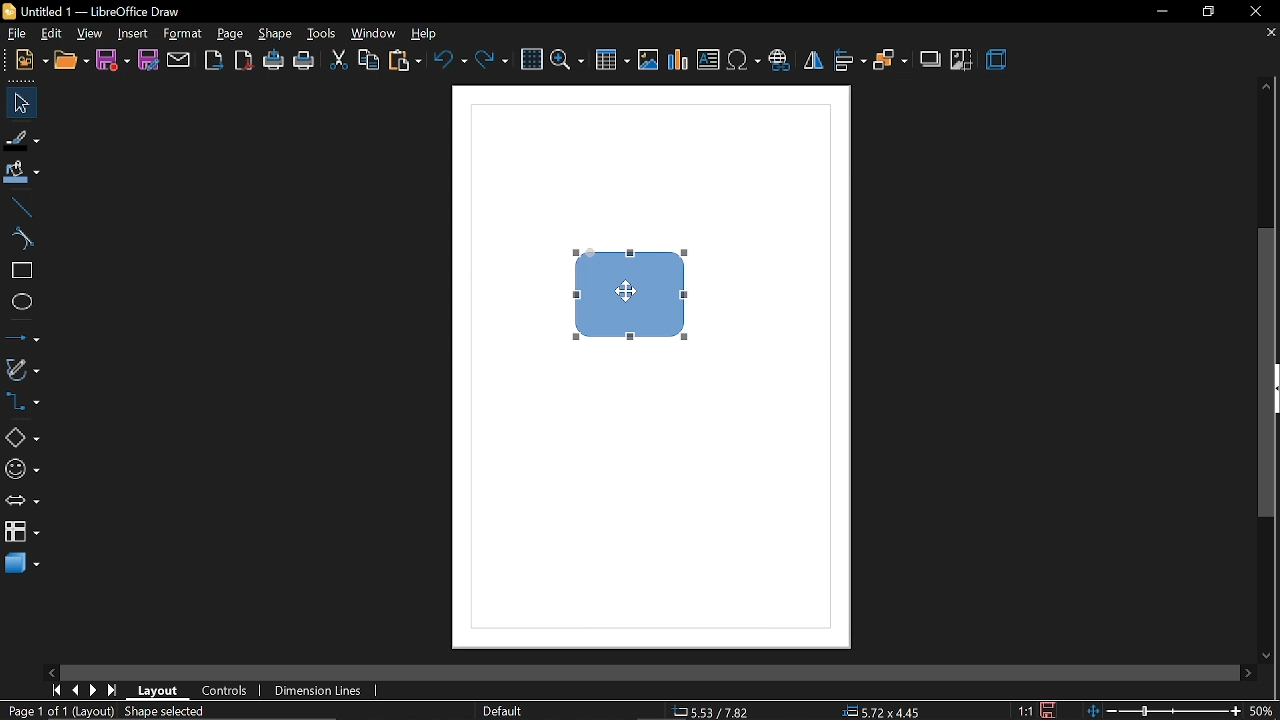 Image resolution: width=1280 pixels, height=720 pixels. What do you see at coordinates (426, 35) in the screenshot?
I see `help` at bounding box center [426, 35].